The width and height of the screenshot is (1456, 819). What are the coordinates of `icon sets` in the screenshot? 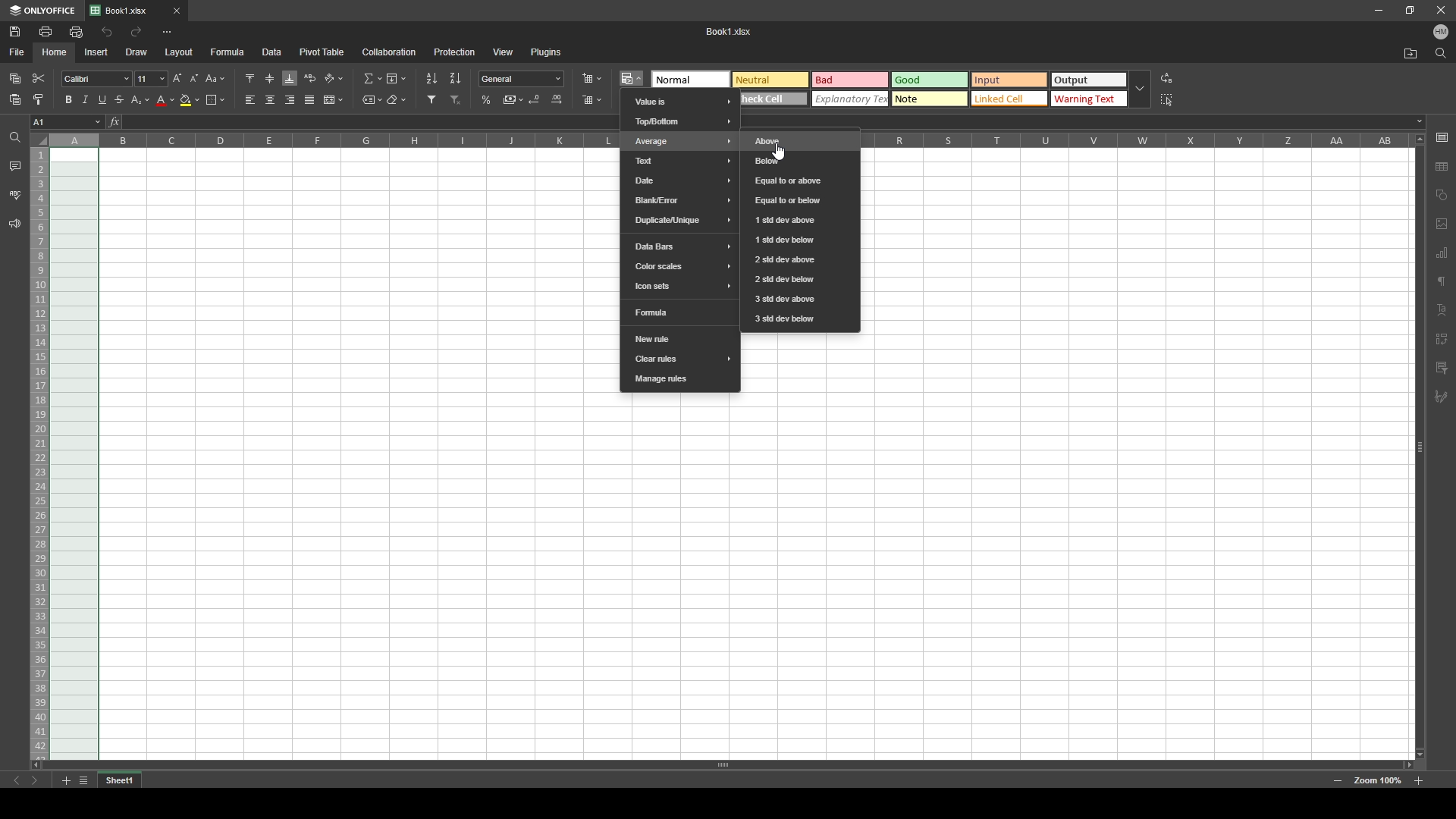 It's located at (680, 286).